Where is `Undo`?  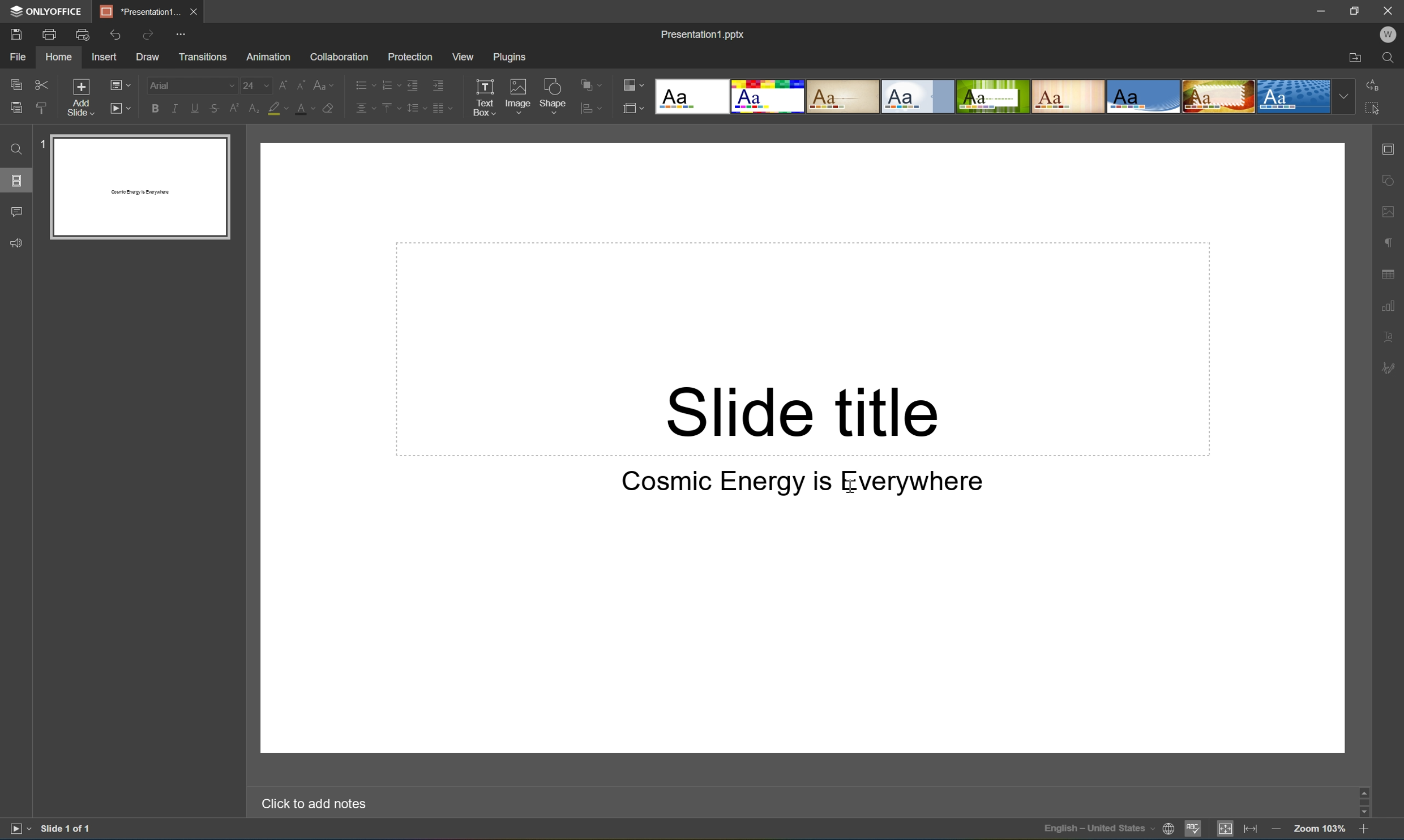 Undo is located at coordinates (116, 33).